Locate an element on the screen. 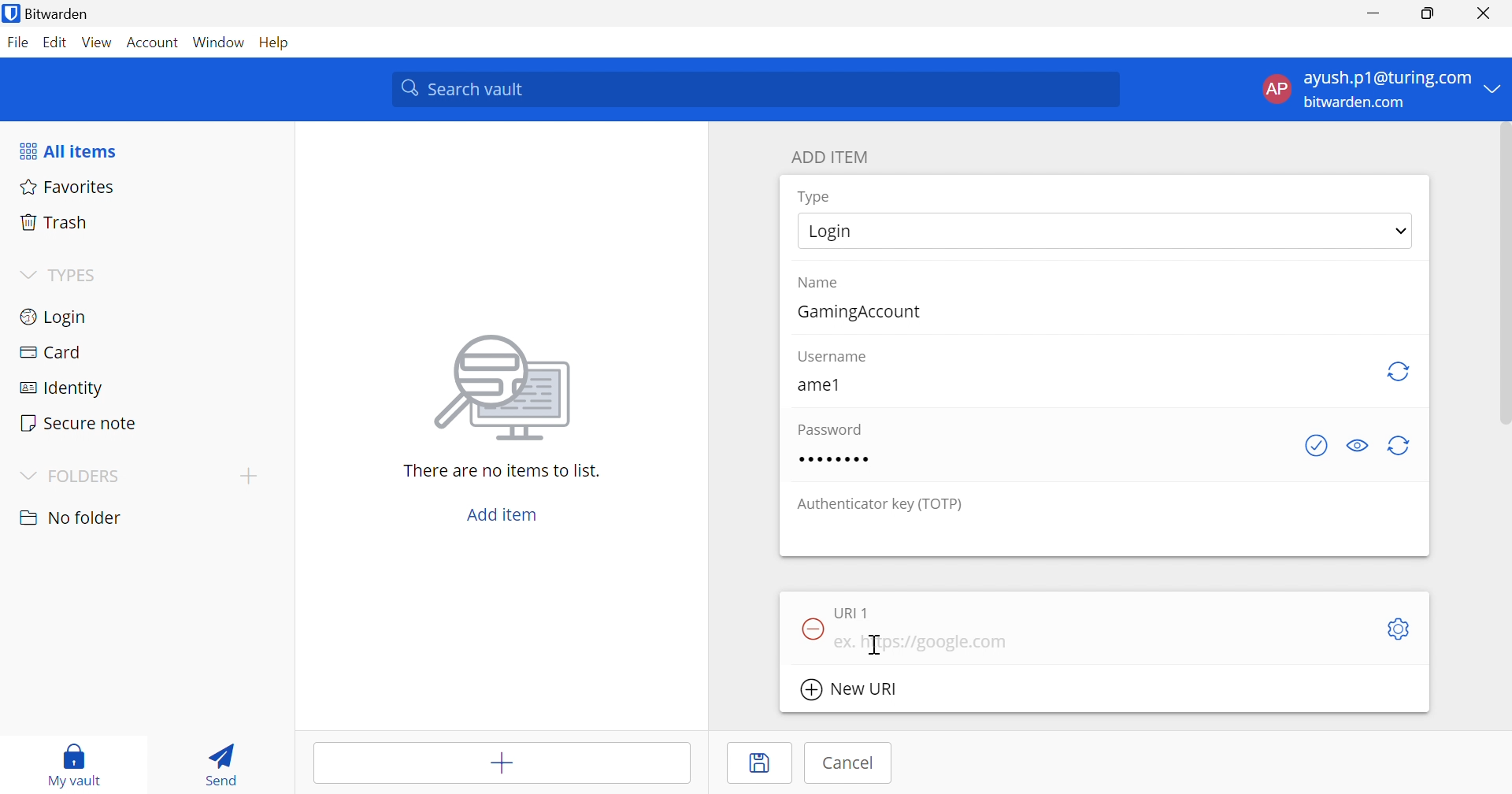 The height and width of the screenshot is (794, 1512). Add item is located at coordinates (498, 514).